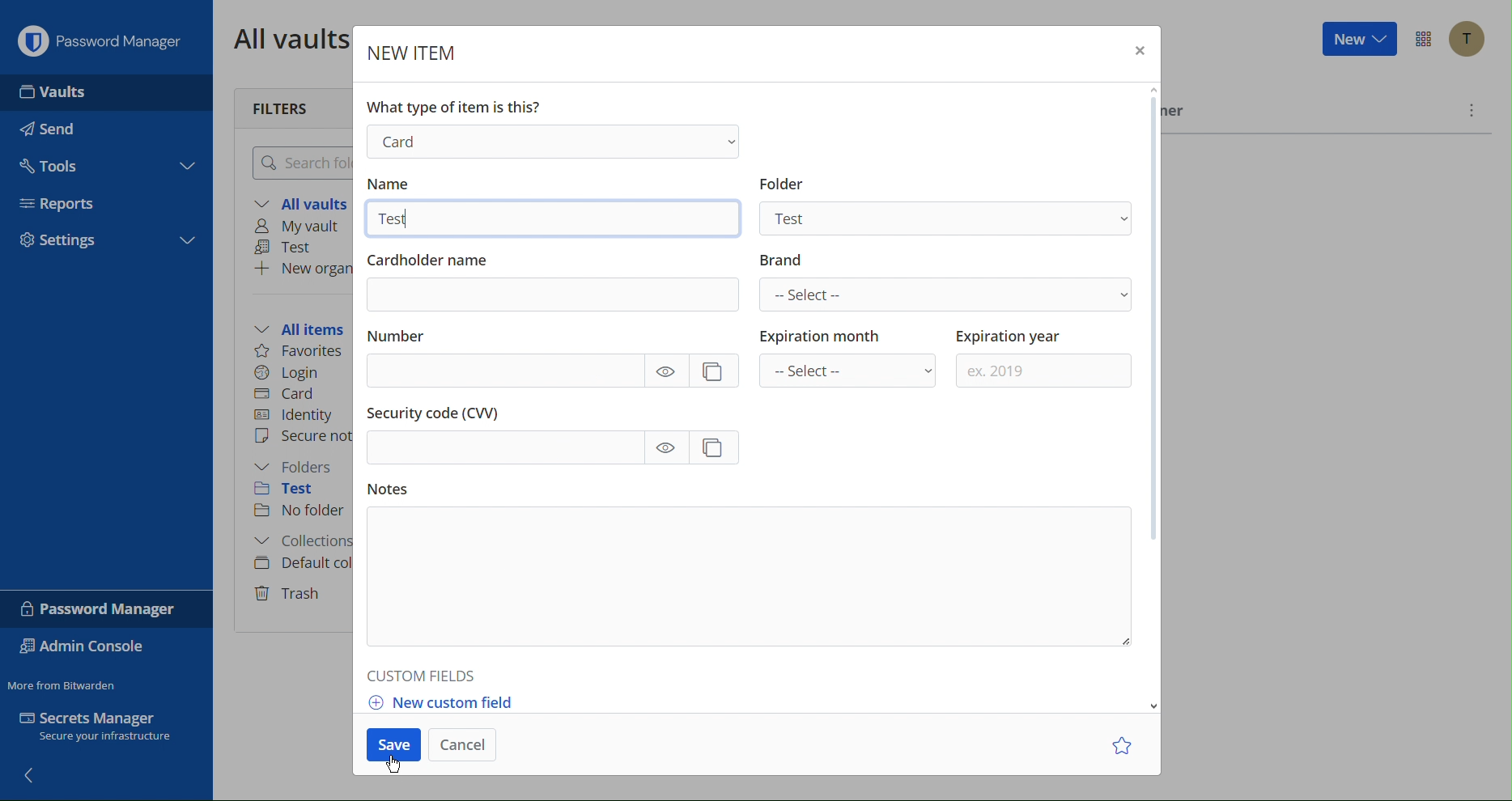 Image resolution: width=1512 pixels, height=801 pixels. Describe the element at coordinates (554, 358) in the screenshot. I see `Number` at that location.